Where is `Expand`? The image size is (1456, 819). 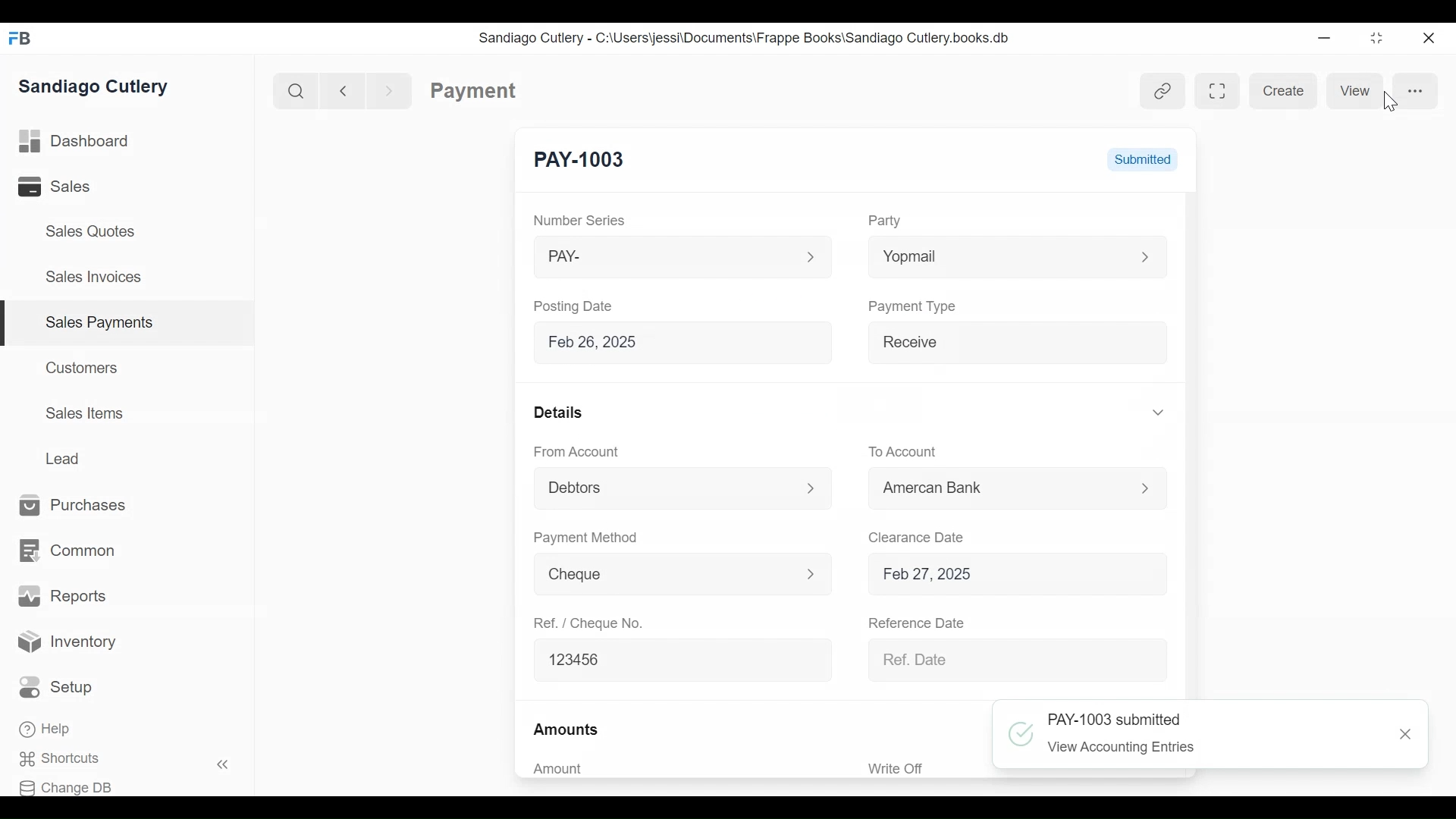 Expand is located at coordinates (1144, 488).